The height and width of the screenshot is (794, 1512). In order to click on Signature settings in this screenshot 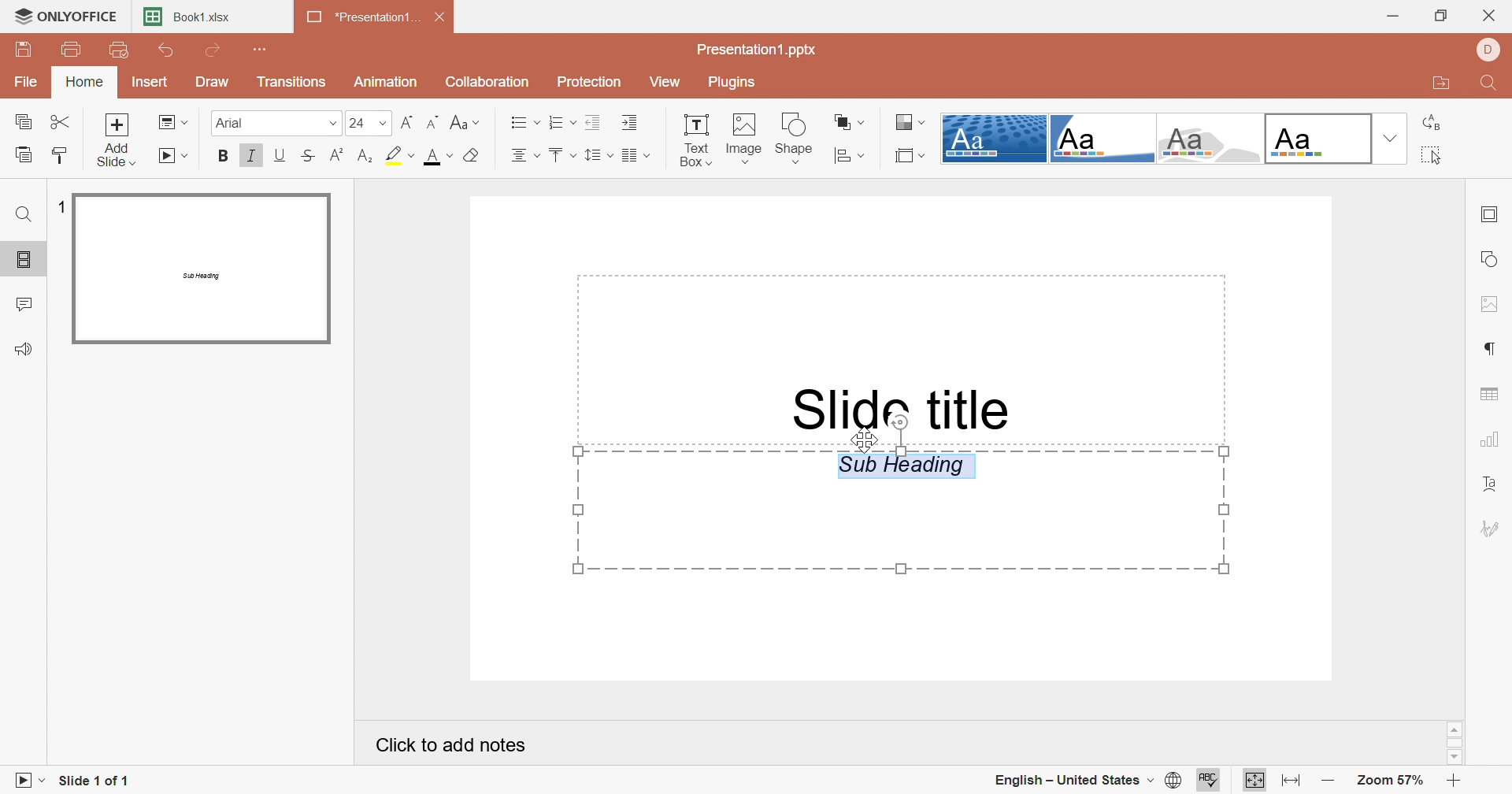, I will do `click(1492, 529)`.